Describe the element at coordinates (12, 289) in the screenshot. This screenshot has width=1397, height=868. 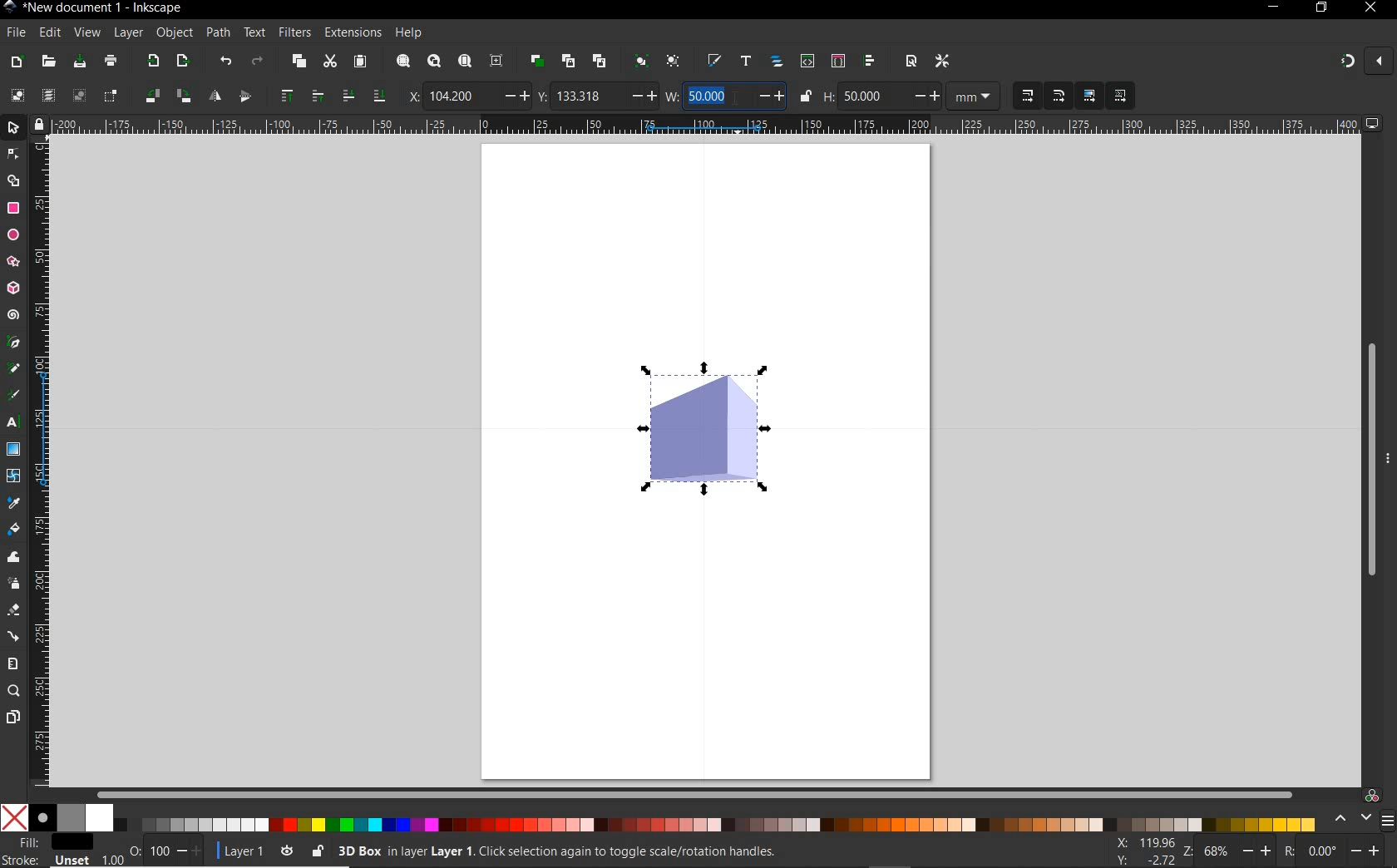
I see `3d box tool` at that location.